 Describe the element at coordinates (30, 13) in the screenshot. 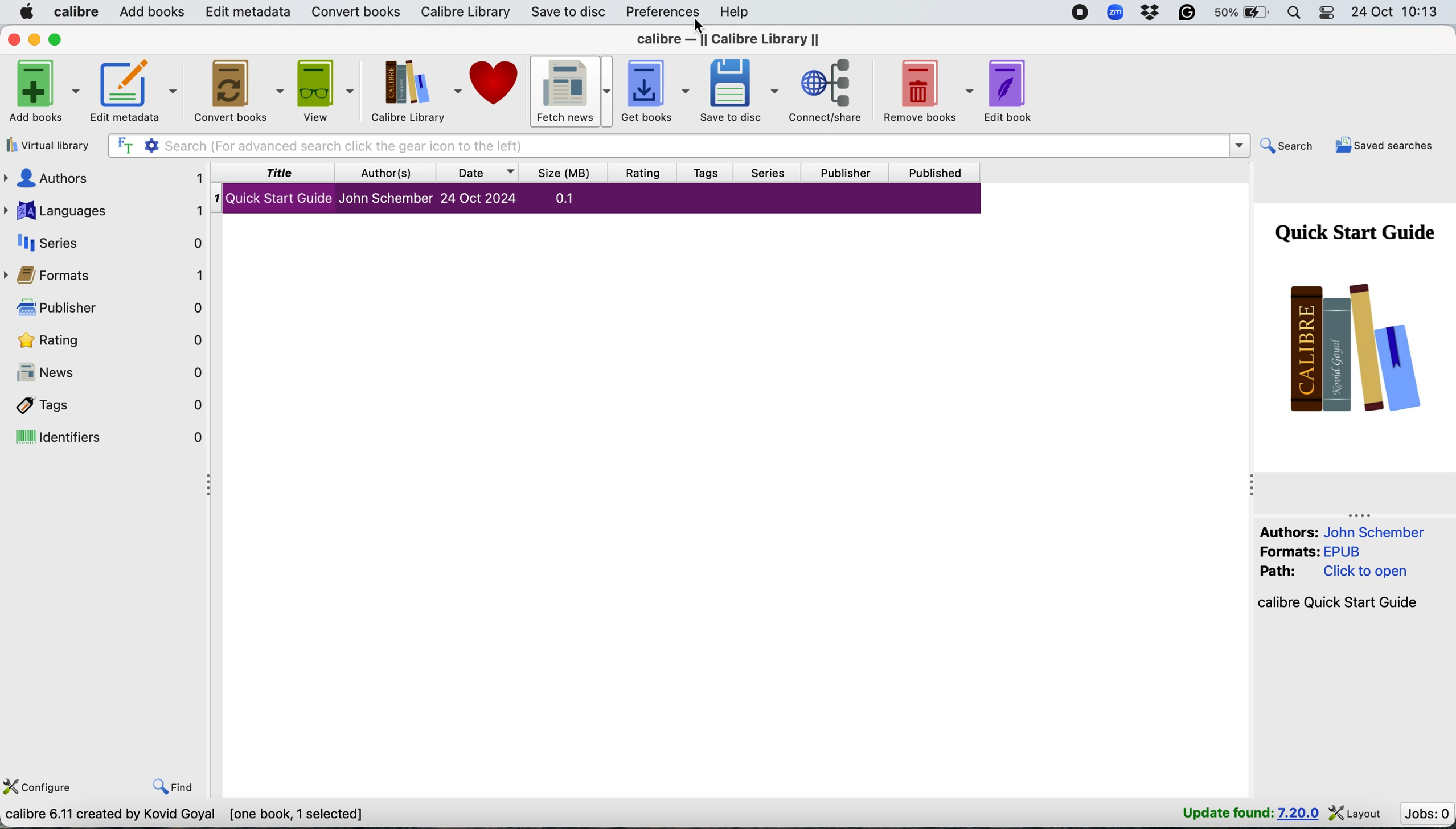

I see `system logo` at that location.